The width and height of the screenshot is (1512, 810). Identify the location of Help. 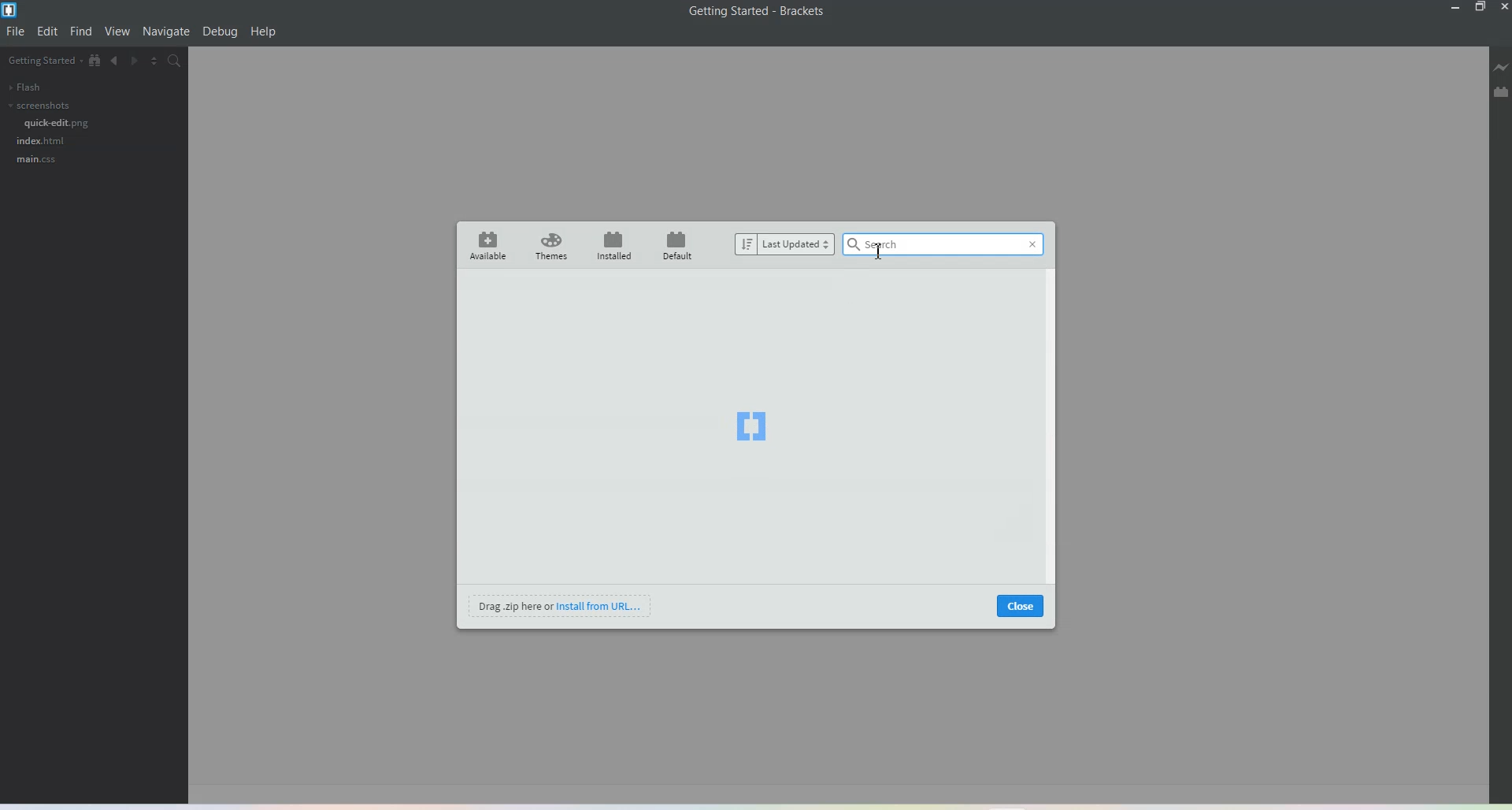
(264, 32).